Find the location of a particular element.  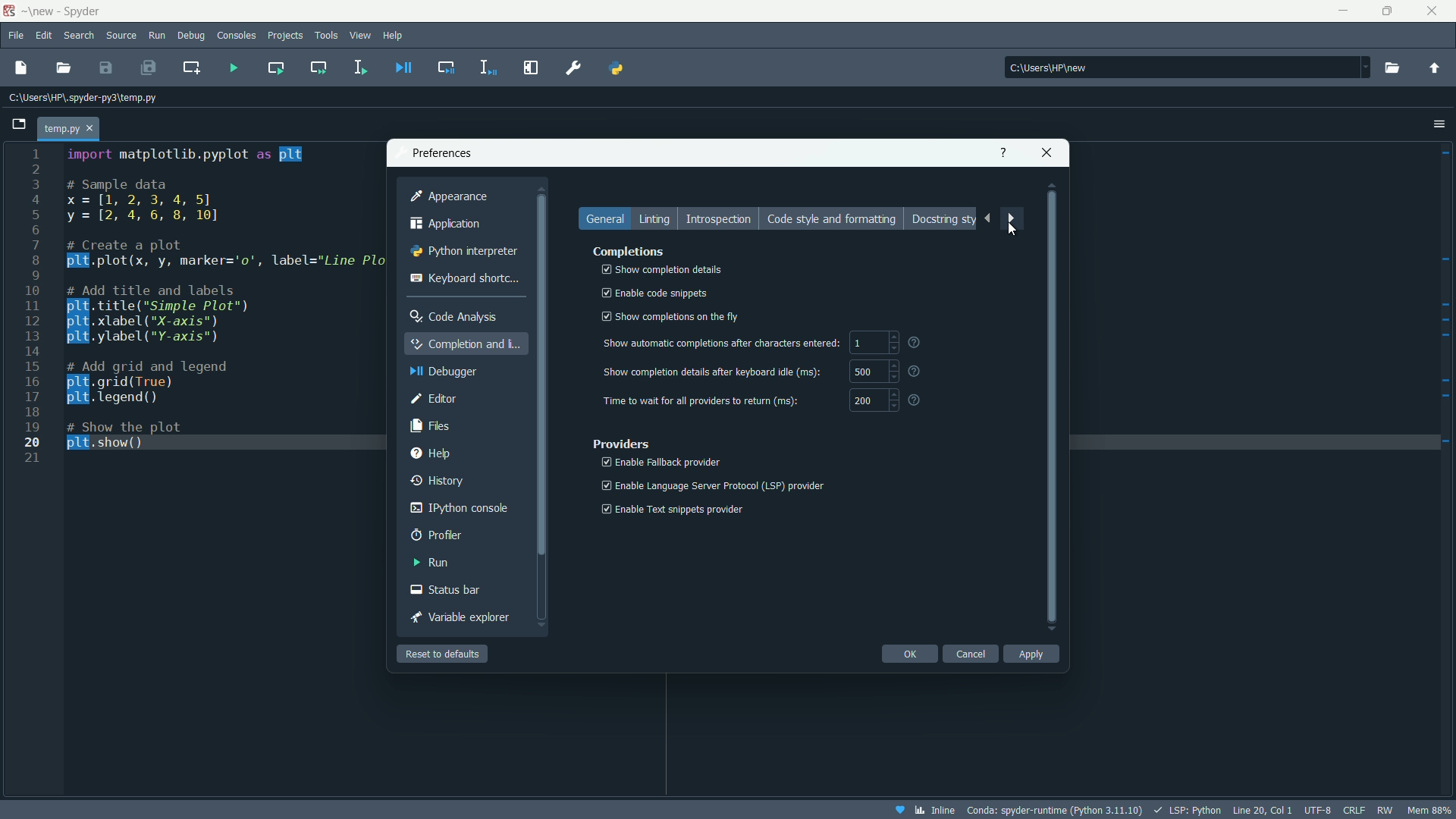

projects is located at coordinates (285, 36).